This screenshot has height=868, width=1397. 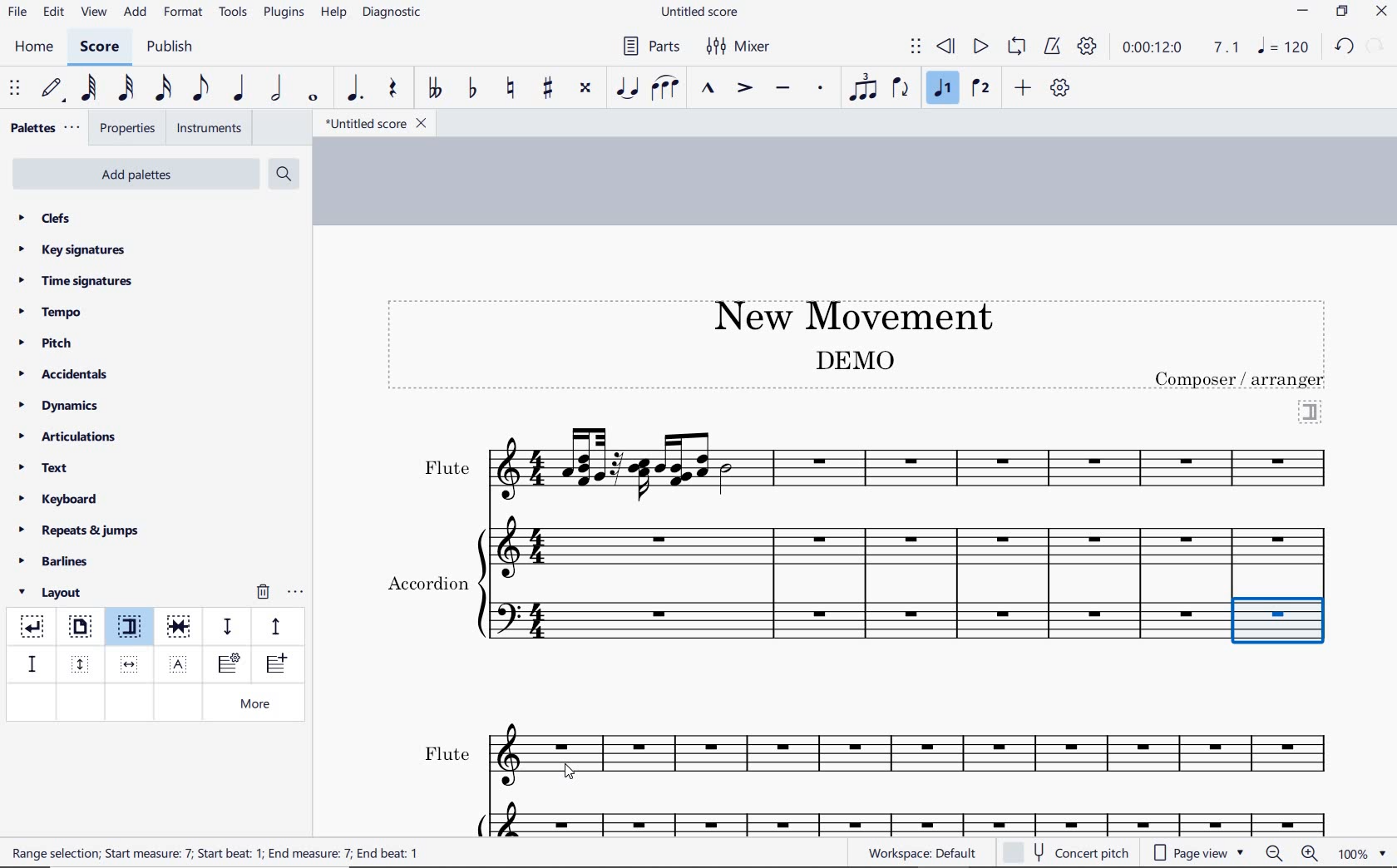 What do you see at coordinates (43, 129) in the screenshot?
I see `palettes` at bounding box center [43, 129].